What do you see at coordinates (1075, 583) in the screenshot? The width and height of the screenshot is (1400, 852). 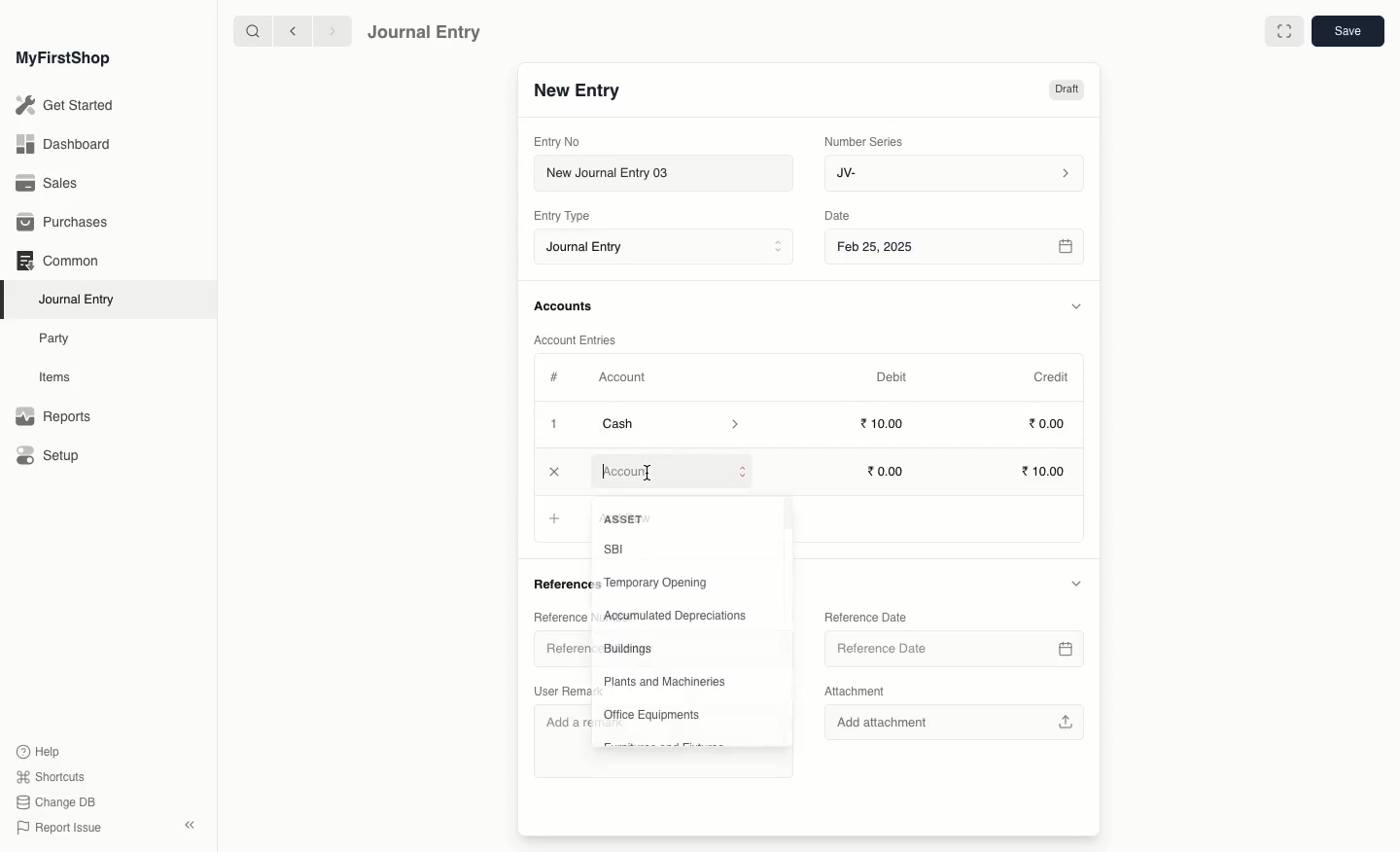 I see `Hide` at bounding box center [1075, 583].